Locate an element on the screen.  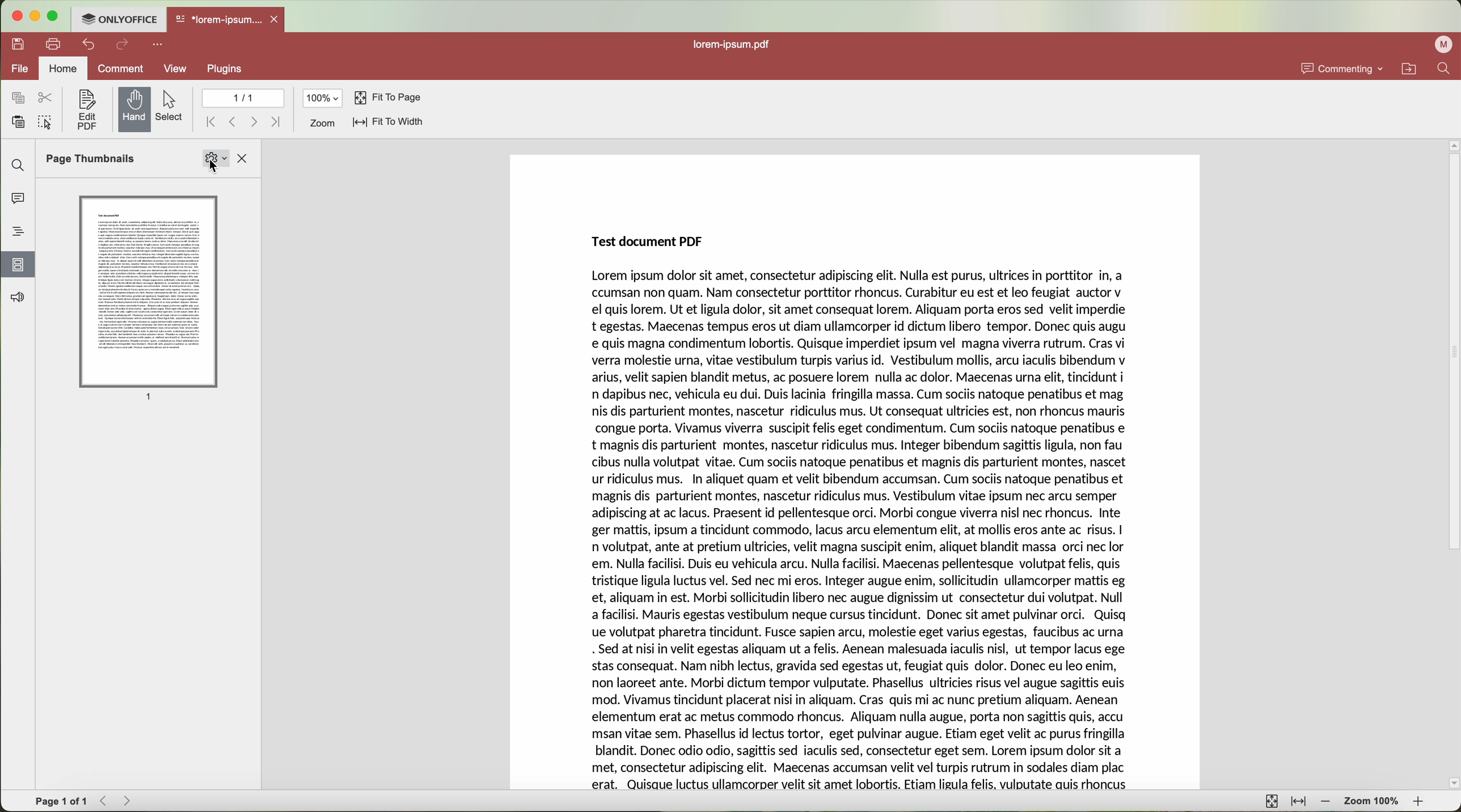
customize quick access toolbar is located at coordinates (157, 45).